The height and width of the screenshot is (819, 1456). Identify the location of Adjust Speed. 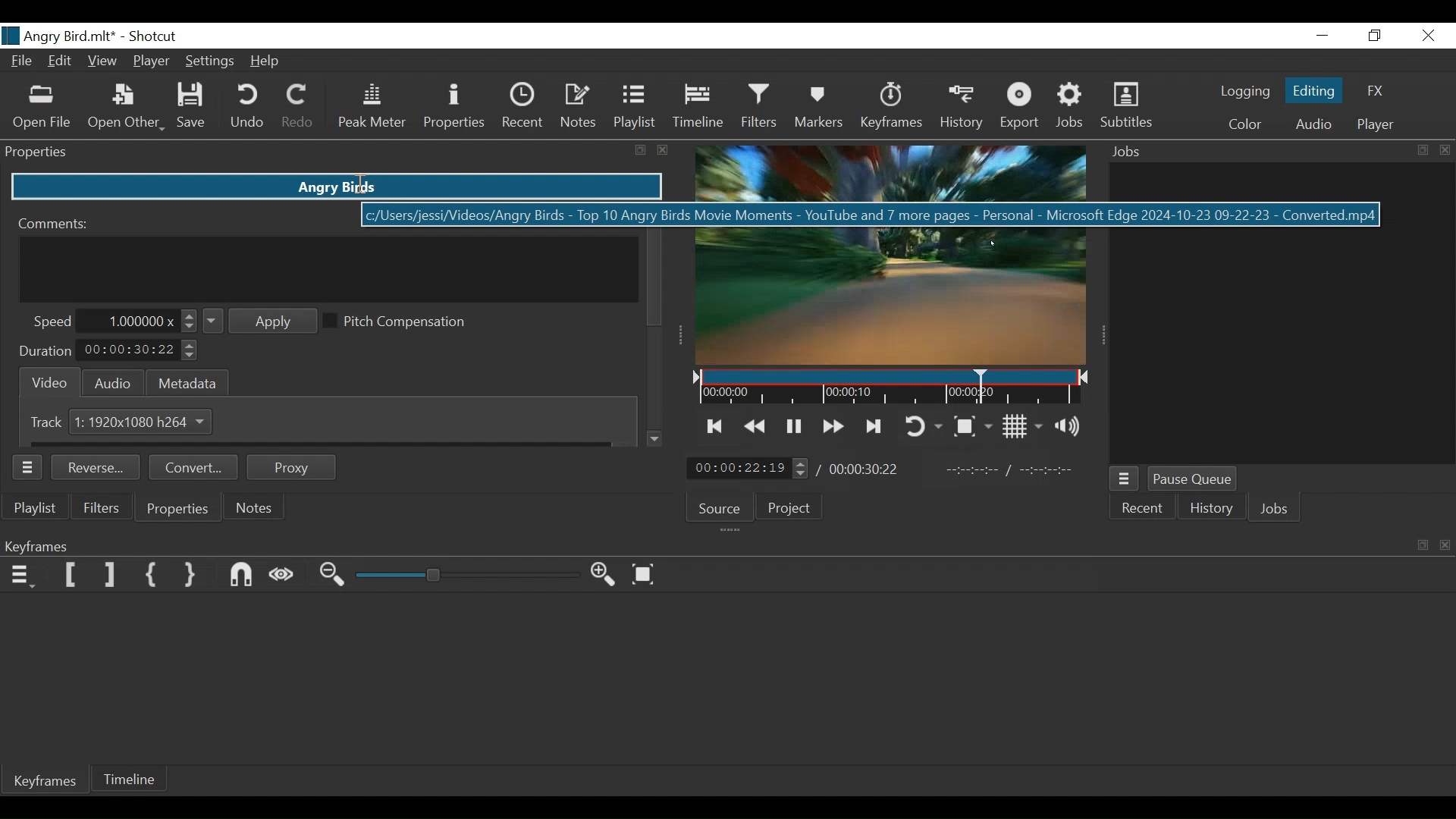
(143, 321).